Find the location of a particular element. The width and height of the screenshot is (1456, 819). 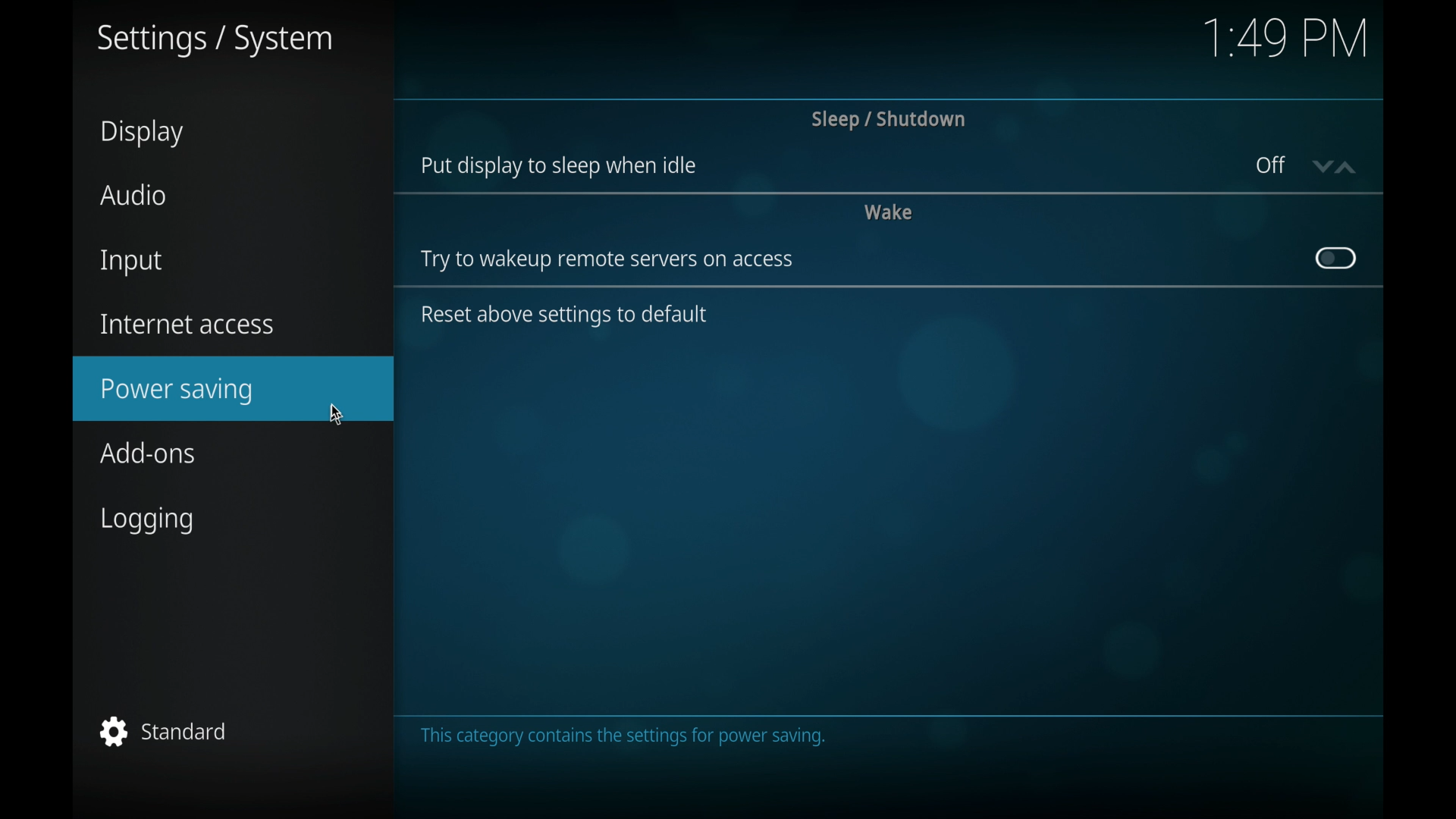

cursor is located at coordinates (337, 414).